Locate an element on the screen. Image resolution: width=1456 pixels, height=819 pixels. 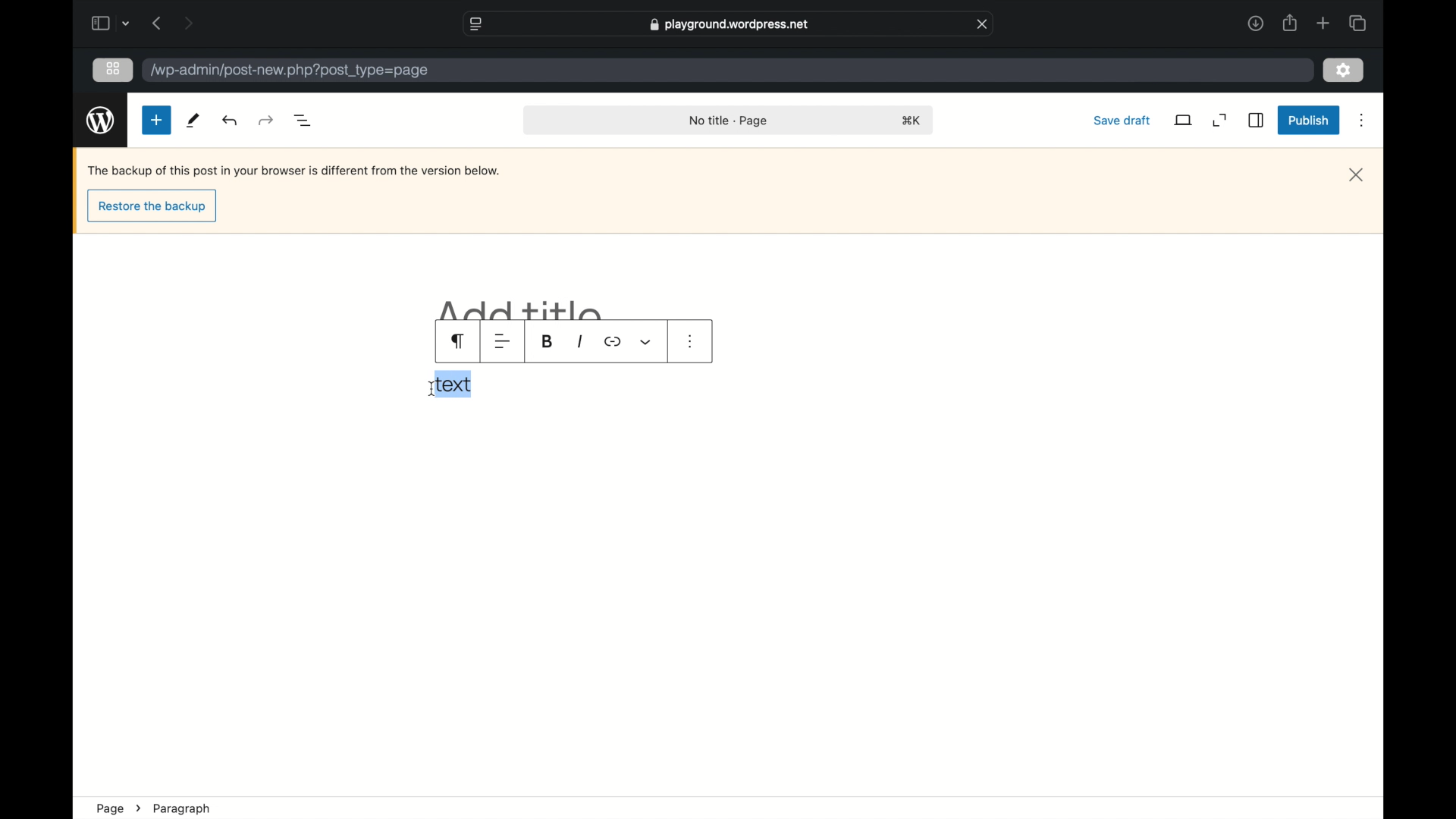
wordpress address is located at coordinates (290, 71).